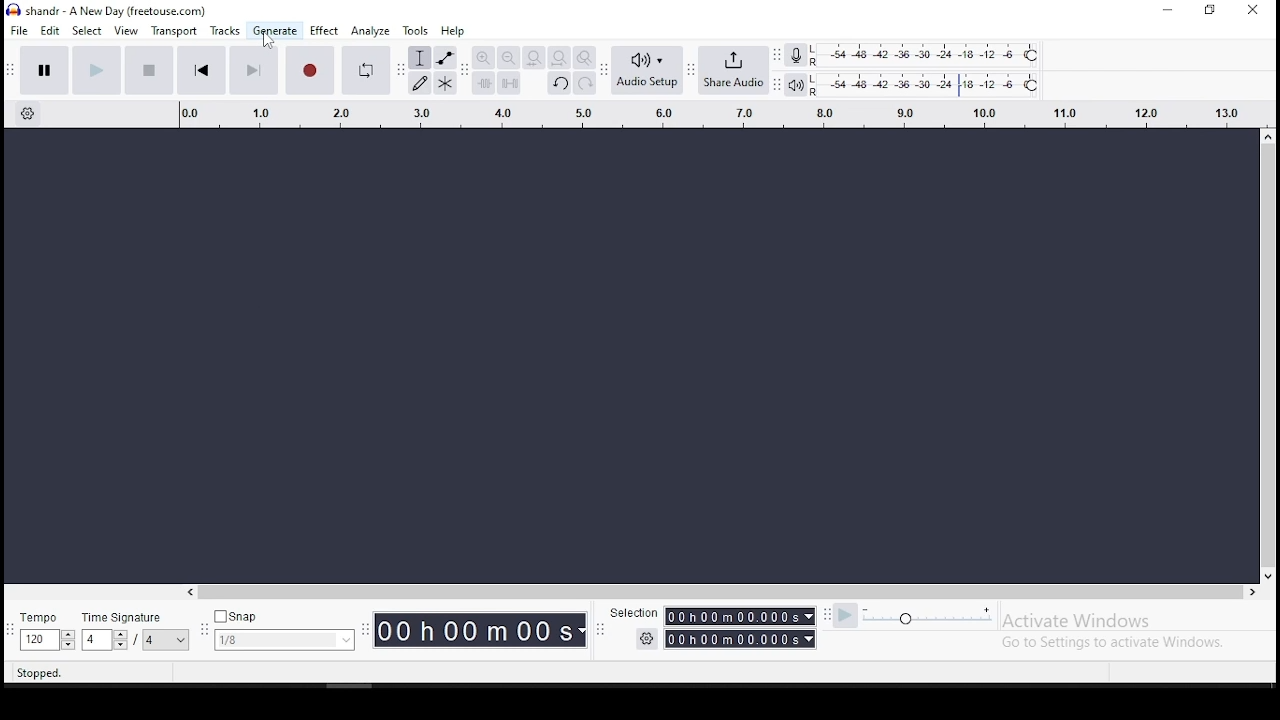 The height and width of the screenshot is (720, 1280). What do you see at coordinates (1269, 354) in the screenshot?
I see `scroll bar` at bounding box center [1269, 354].